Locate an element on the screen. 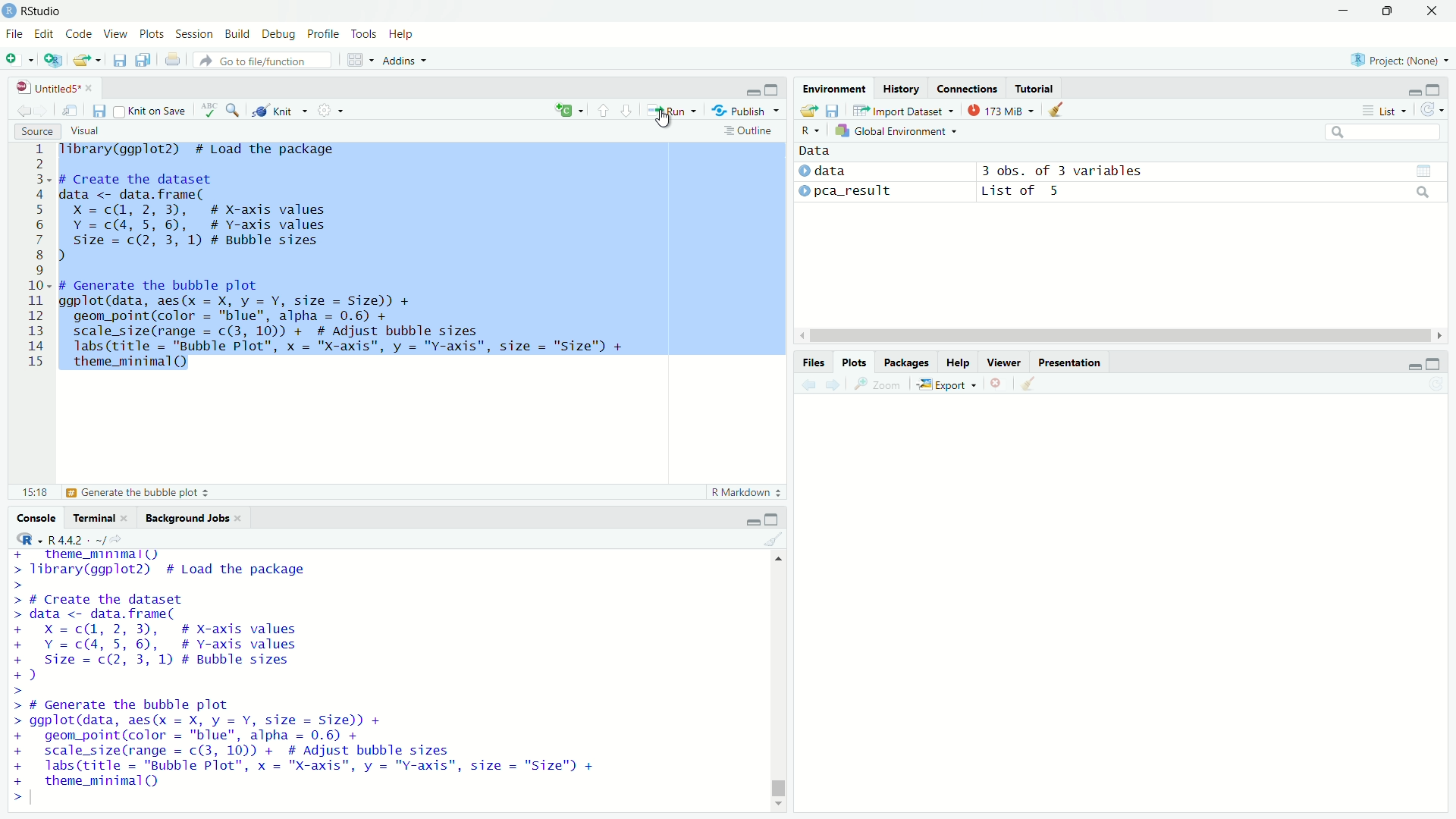 The width and height of the screenshot is (1456, 819). data is located at coordinates (816, 151).